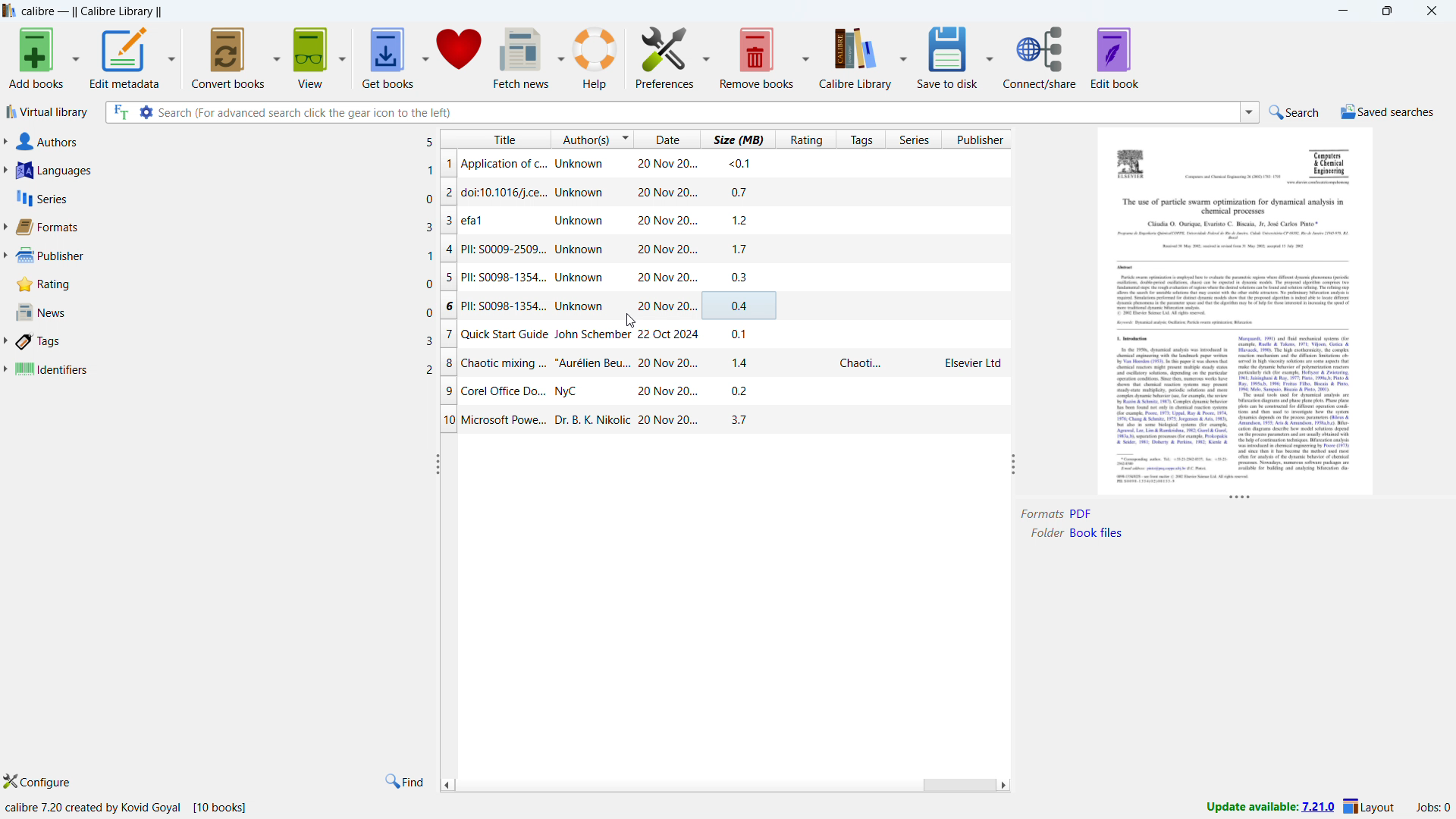  I want to click on configure, so click(36, 780).